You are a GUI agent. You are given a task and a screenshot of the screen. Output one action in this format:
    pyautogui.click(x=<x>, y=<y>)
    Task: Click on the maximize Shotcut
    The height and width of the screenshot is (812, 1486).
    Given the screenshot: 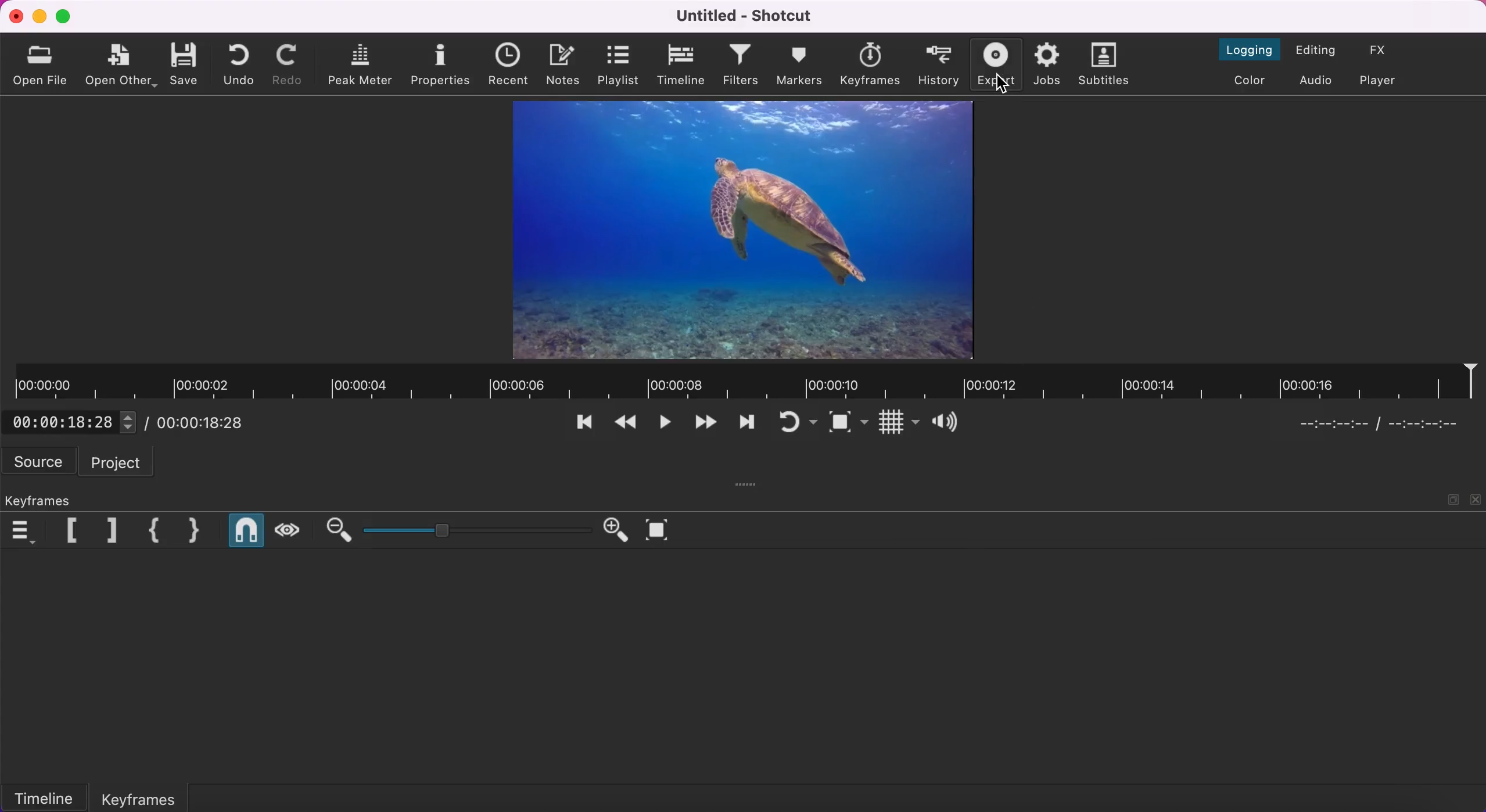 What is the action you would take?
    pyautogui.click(x=65, y=18)
    